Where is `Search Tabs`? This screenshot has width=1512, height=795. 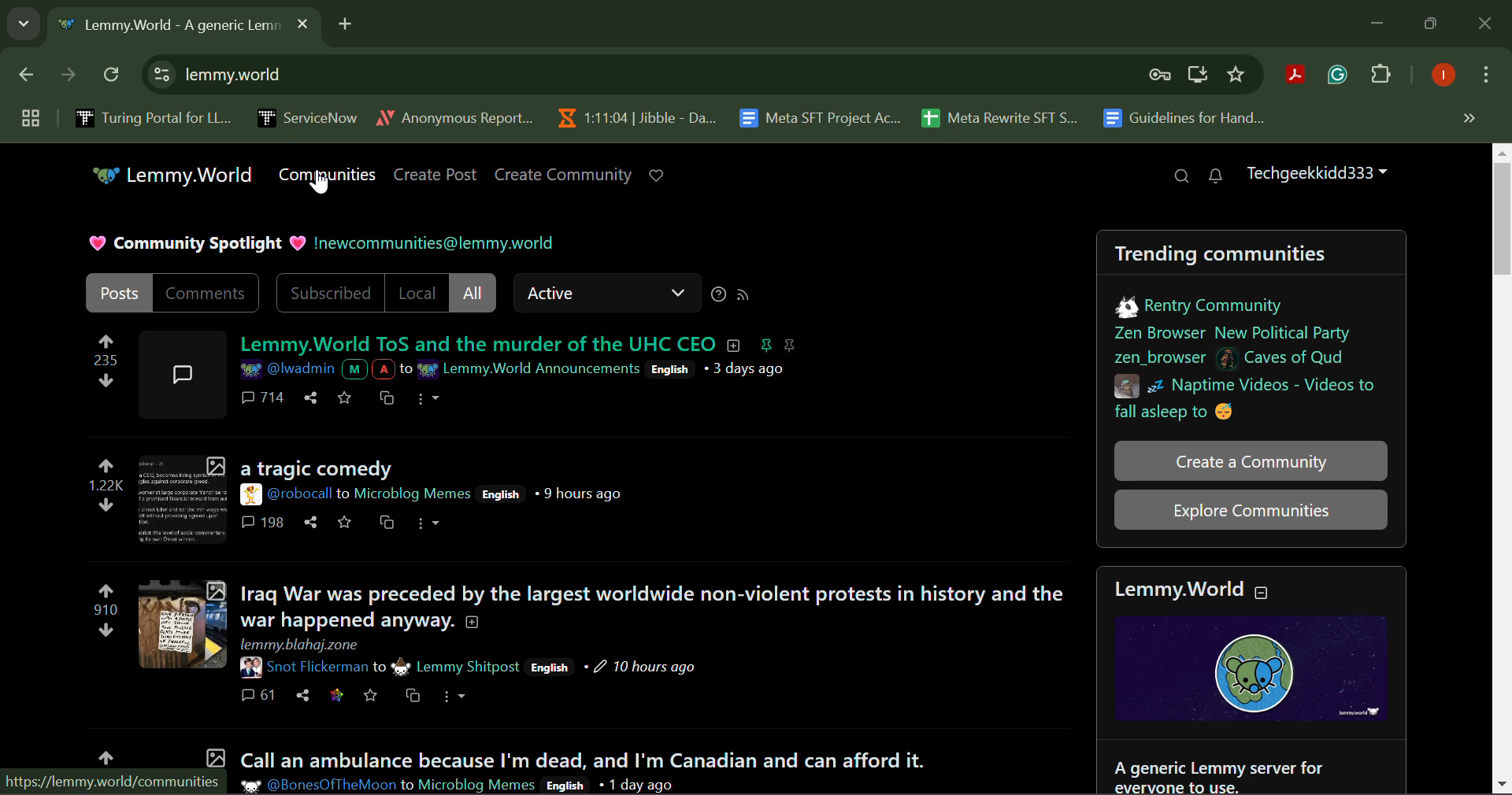 Search Tabs is located at coordinates (20, 21).